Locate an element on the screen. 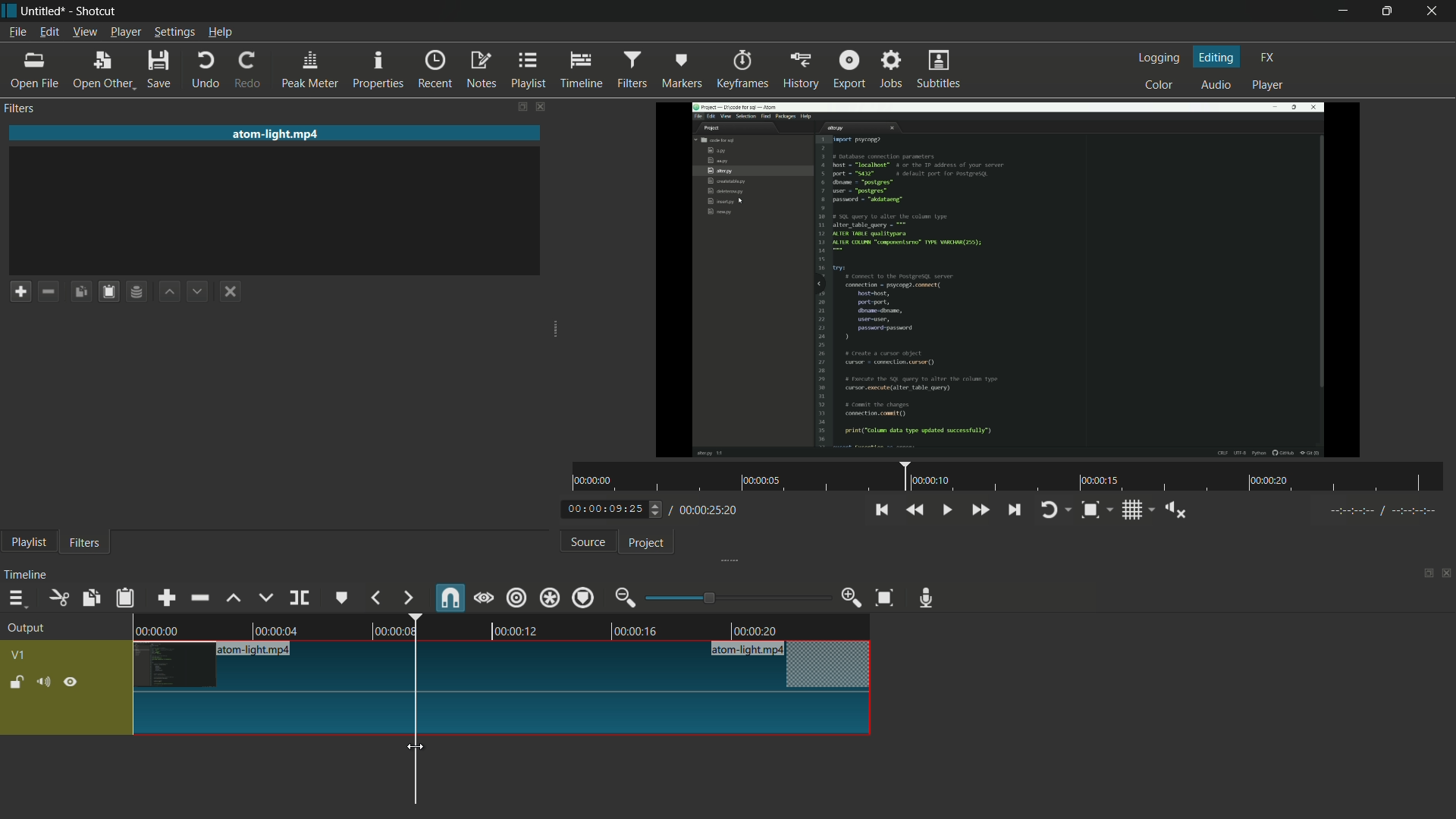  player is located at coordinates (1270, 87).